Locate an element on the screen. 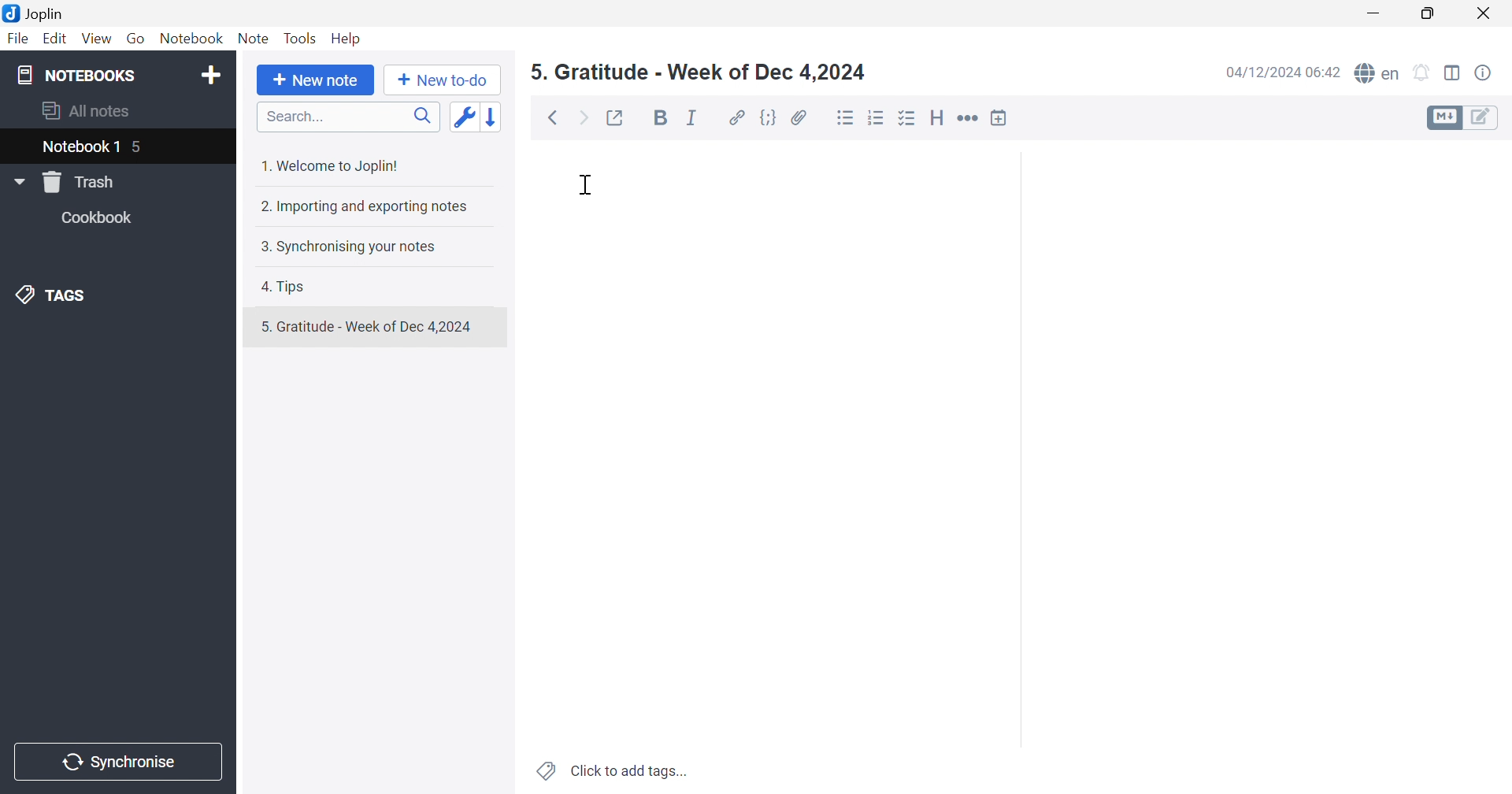 This screenshot has width=1512, height=794. Reverse sort order is located at coordinates (495, 117).